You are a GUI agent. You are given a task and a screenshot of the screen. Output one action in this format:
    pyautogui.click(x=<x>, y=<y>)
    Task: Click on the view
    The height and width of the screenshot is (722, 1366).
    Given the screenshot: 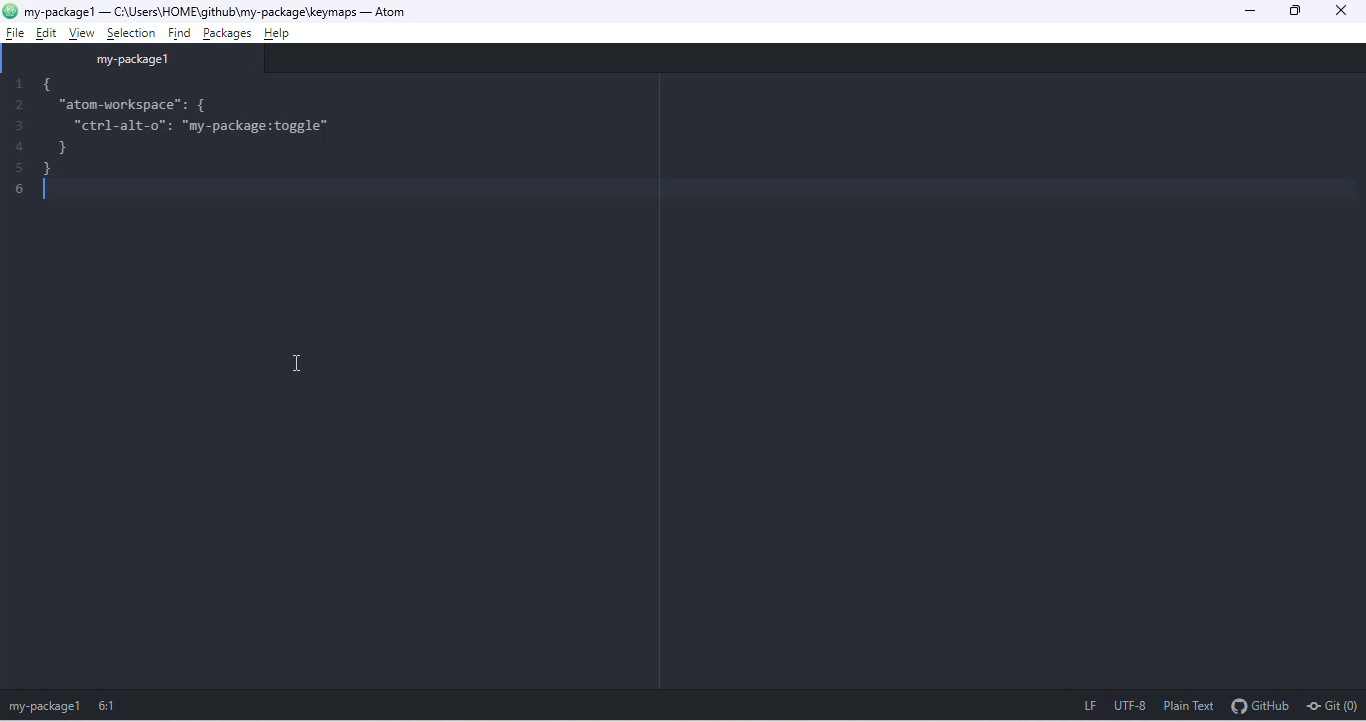 What is the action you would take?
    pyautogui.click(x=84, y=34)
    